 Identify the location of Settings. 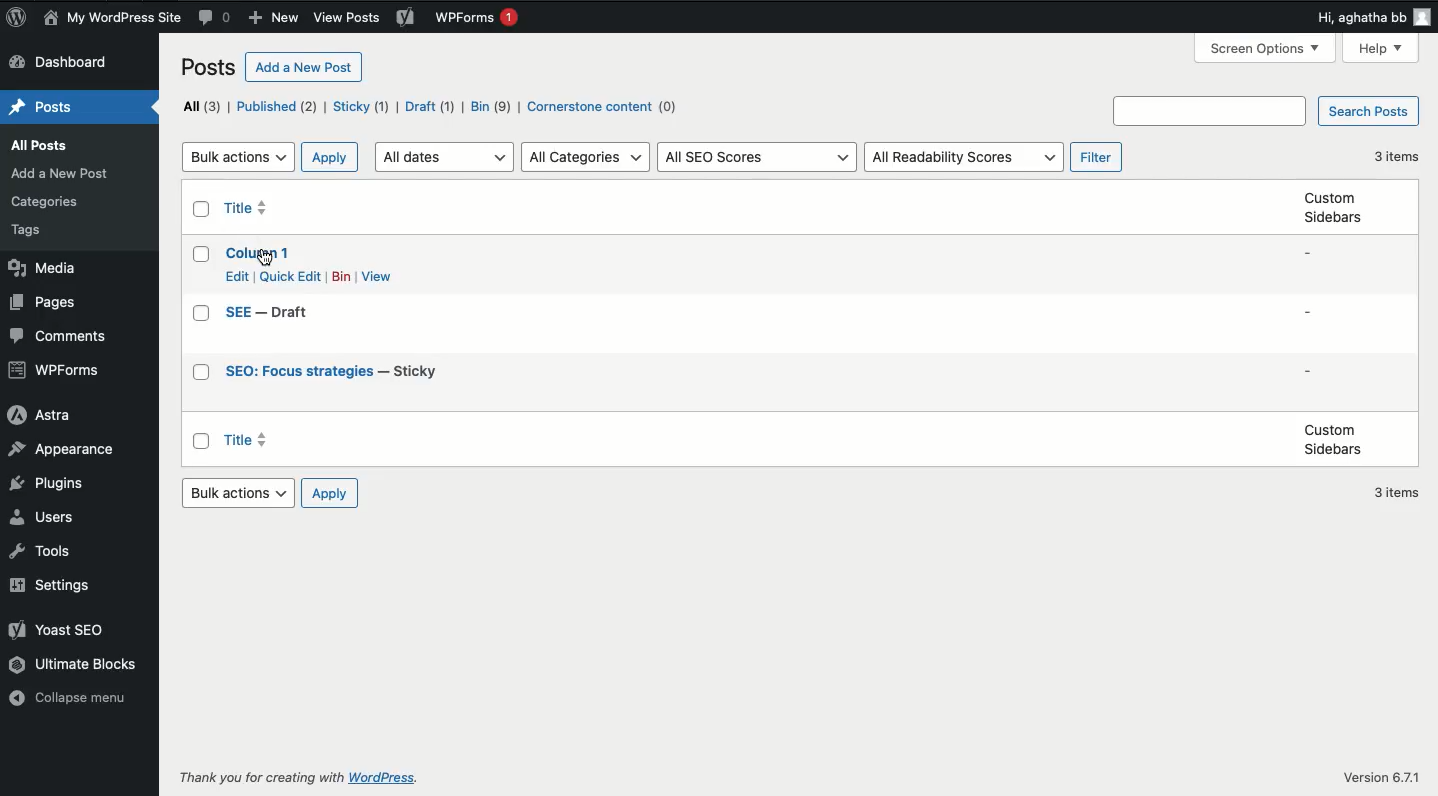
(49, 584).